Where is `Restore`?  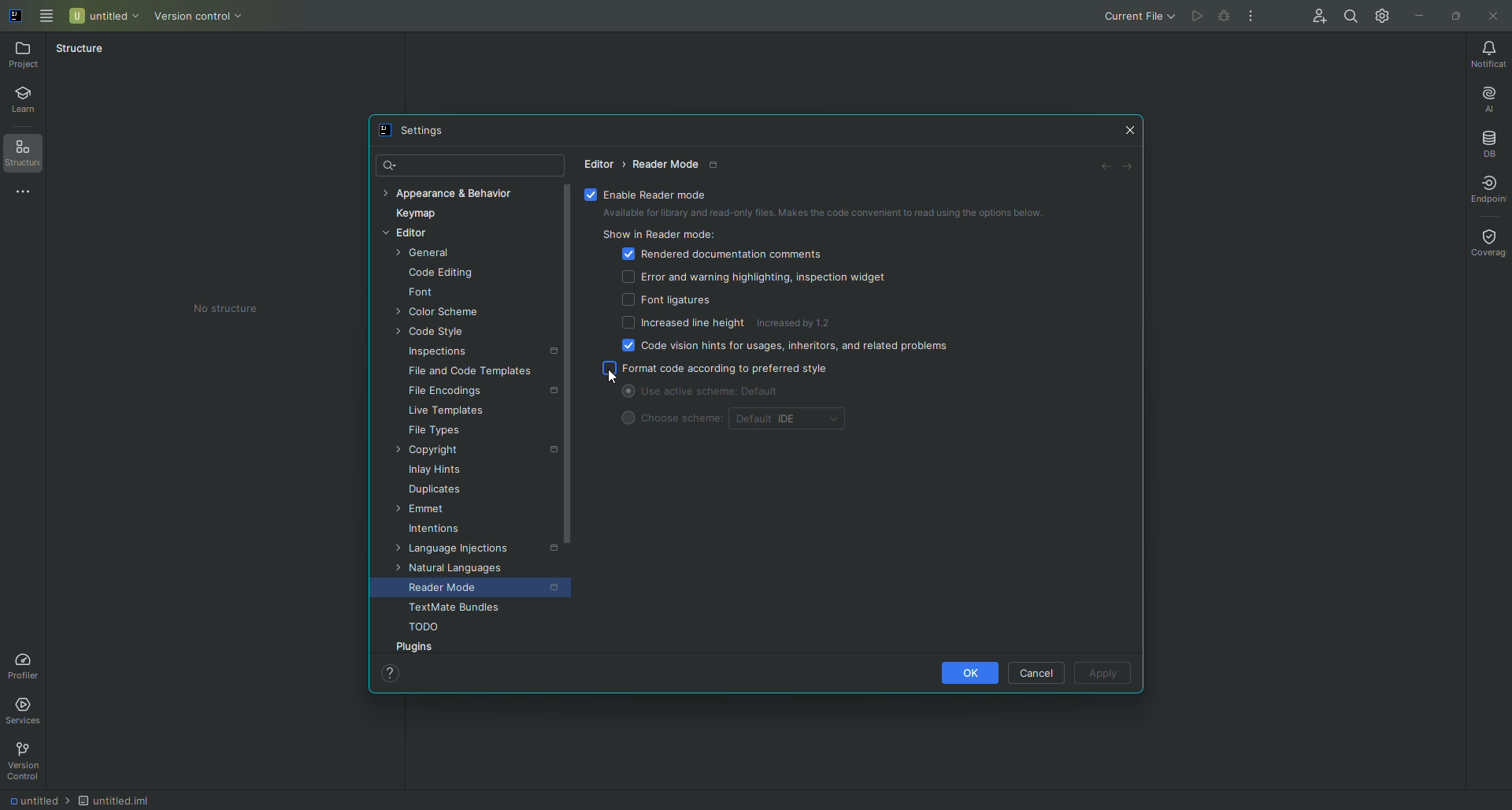
Restore is located at coordinates (1459, 15).